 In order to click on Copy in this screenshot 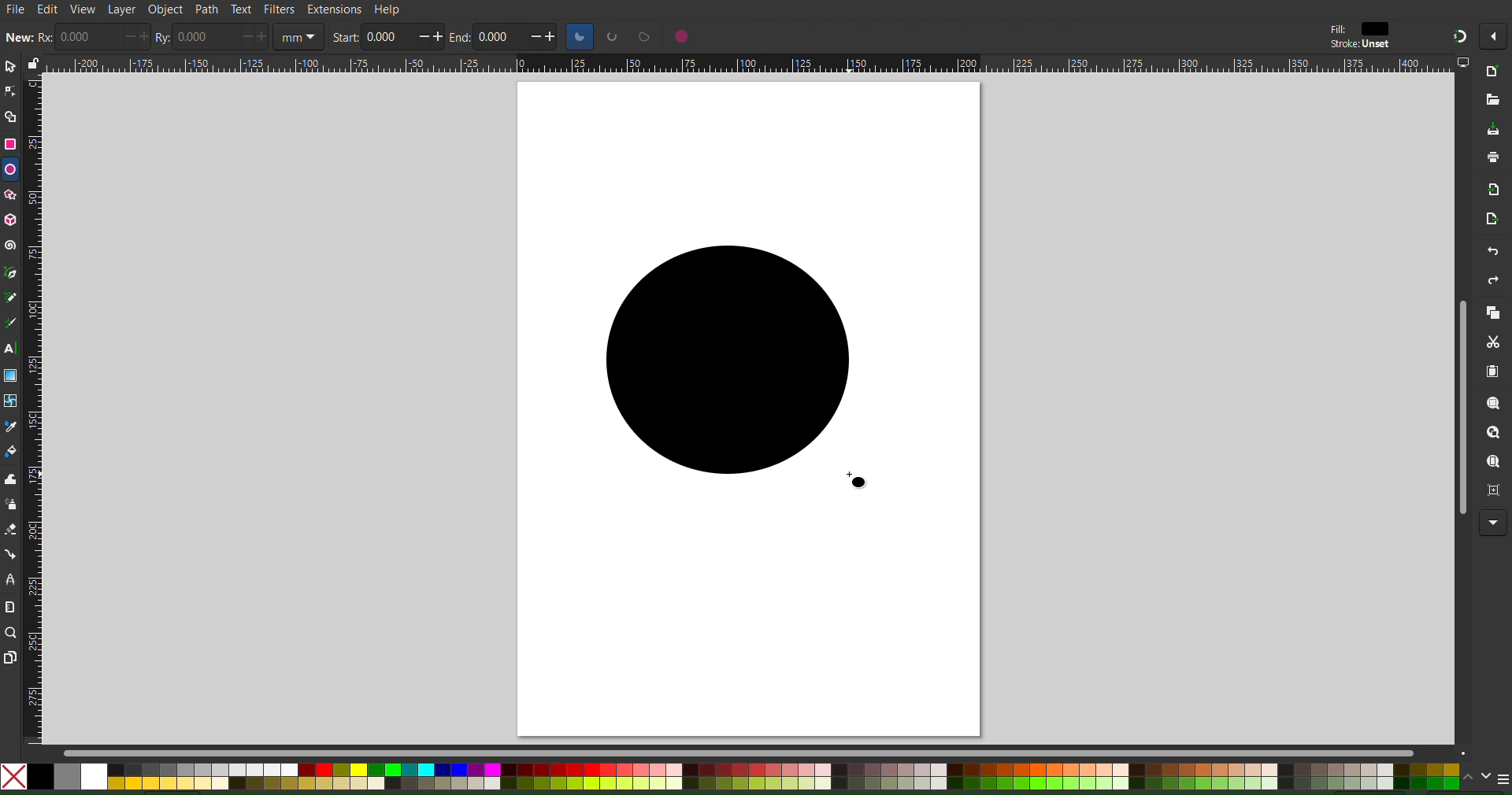, I will do `click(1493, 313)`.